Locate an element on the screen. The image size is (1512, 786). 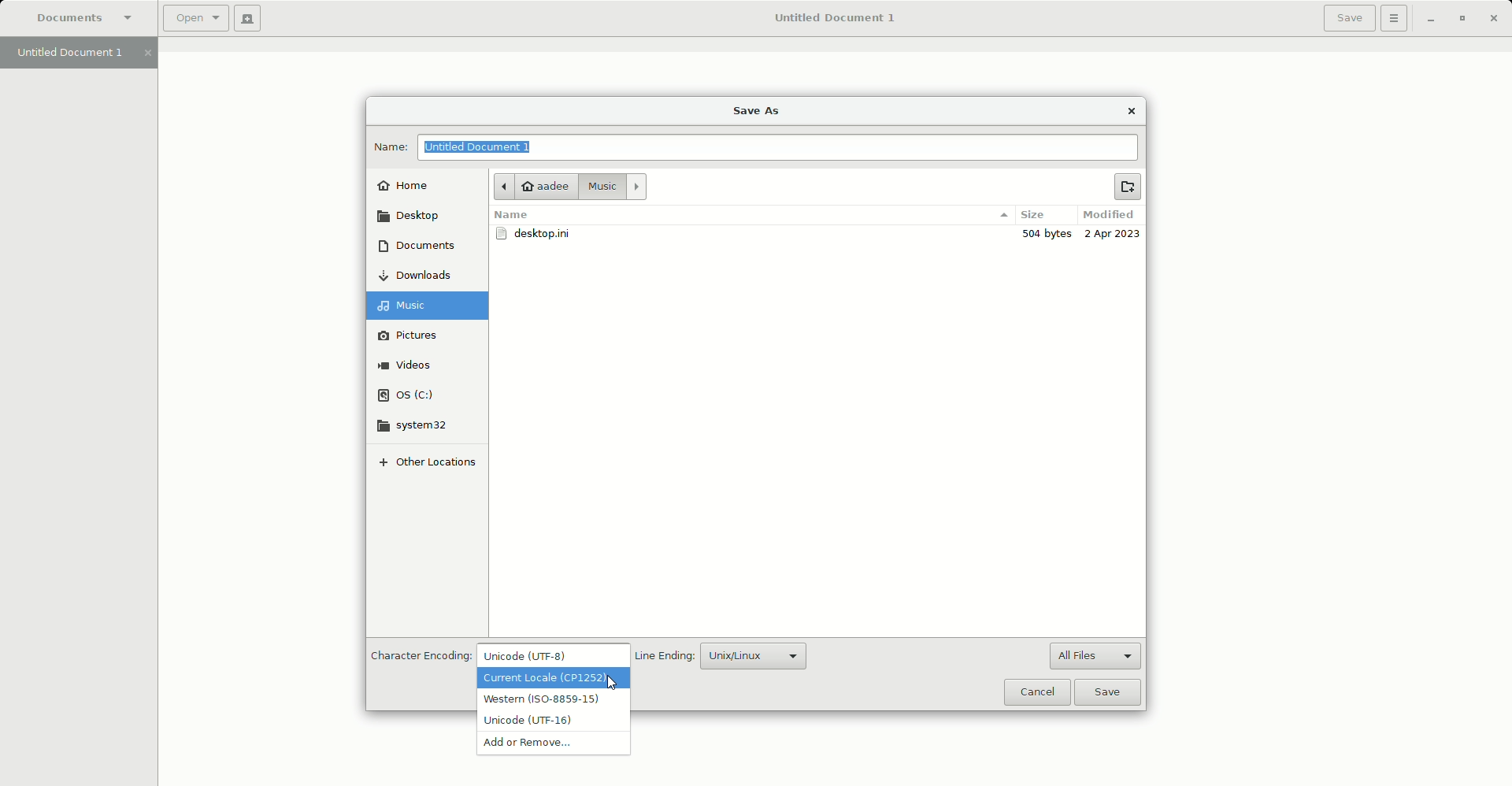
Music is located at coordinates (615, 186).